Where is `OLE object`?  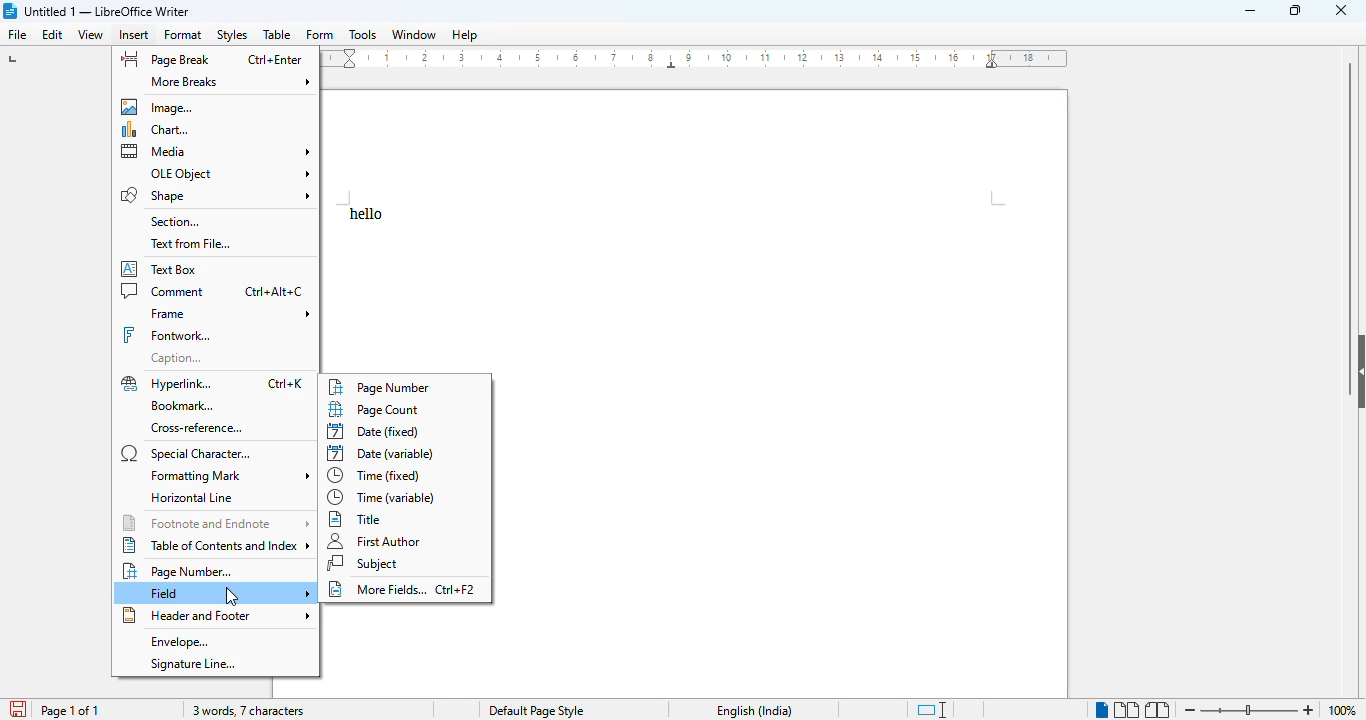
OLE object is located at coordinates (229, 173).